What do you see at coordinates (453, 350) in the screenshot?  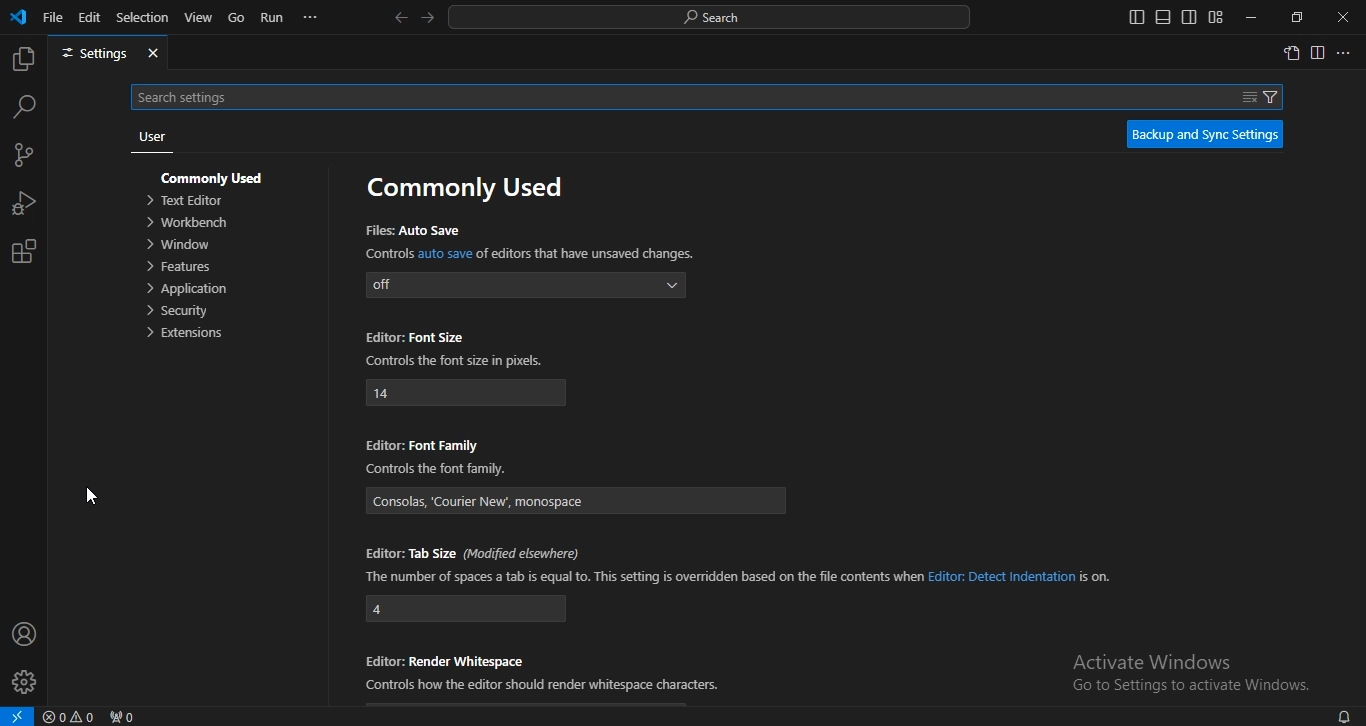 I see `Editor: Font Size
Controls the font size in pixels.` at bounding box center [453, 350].